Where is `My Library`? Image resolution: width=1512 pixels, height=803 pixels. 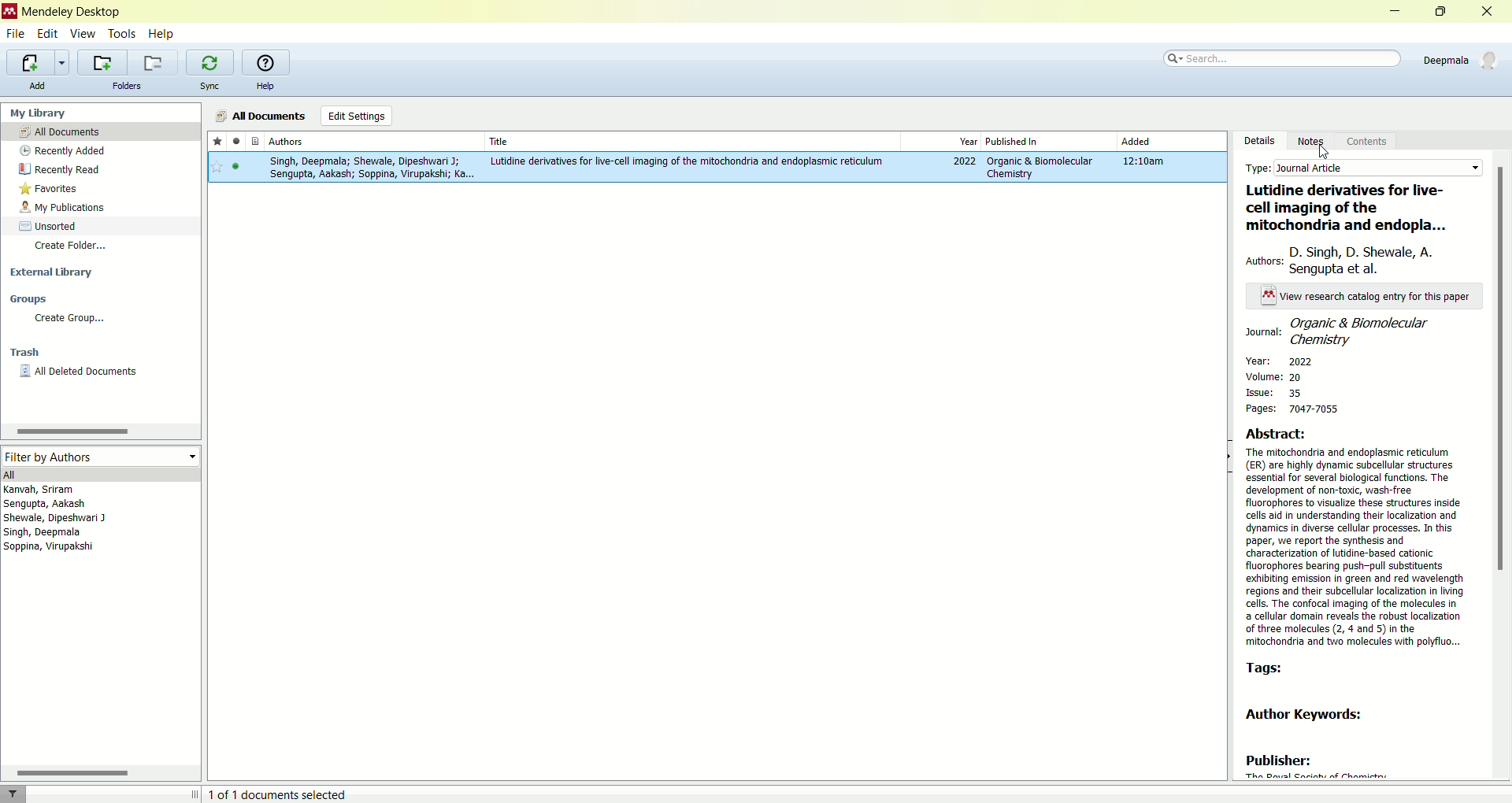 My Library is located at coordinates (102, 112).